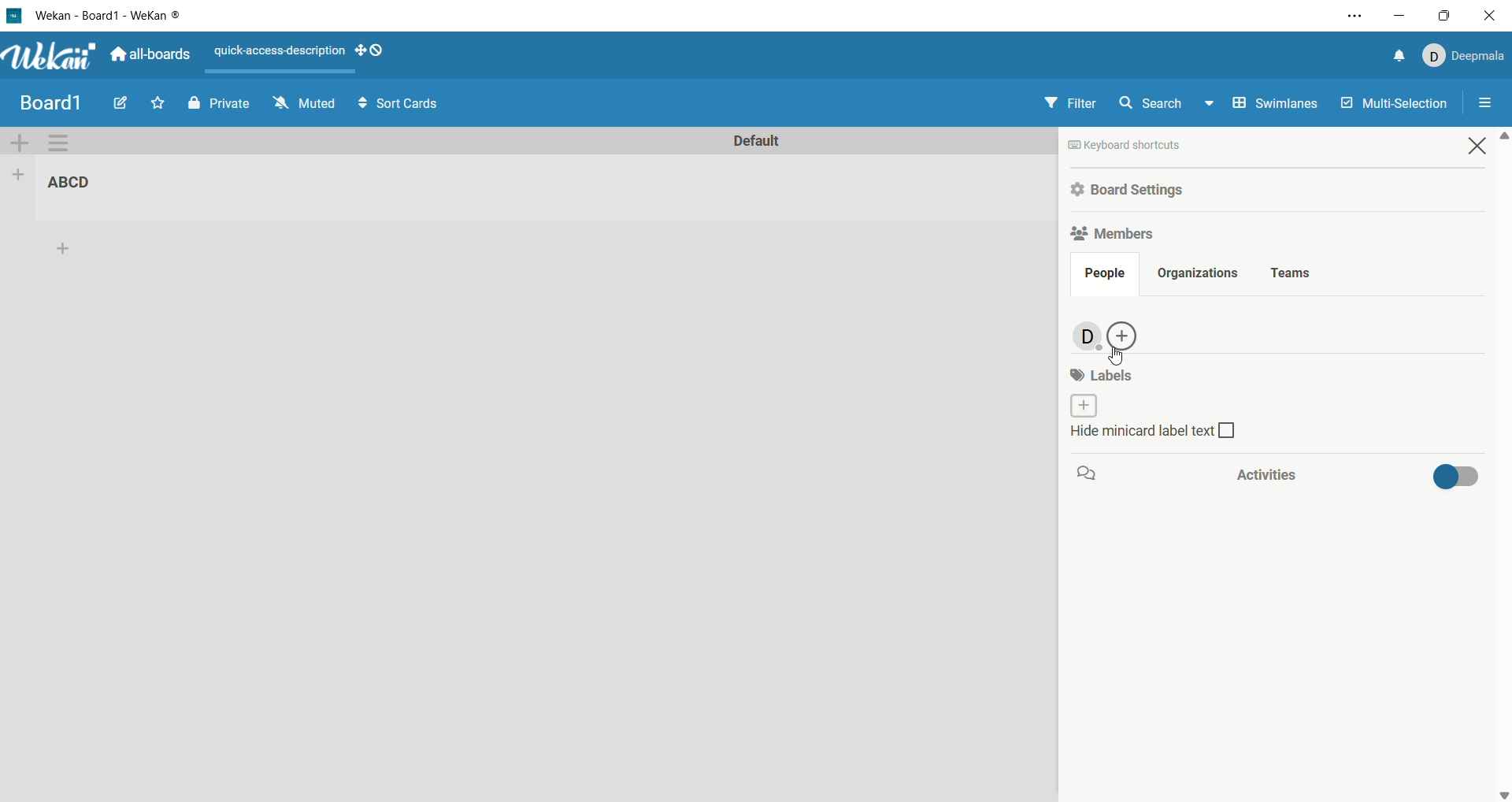 The width and height of the screenshot is (1512, 802). What do you see at coordinates (79, 184) in the screenshot?
I see `list title` at bounding box center [79, 184].